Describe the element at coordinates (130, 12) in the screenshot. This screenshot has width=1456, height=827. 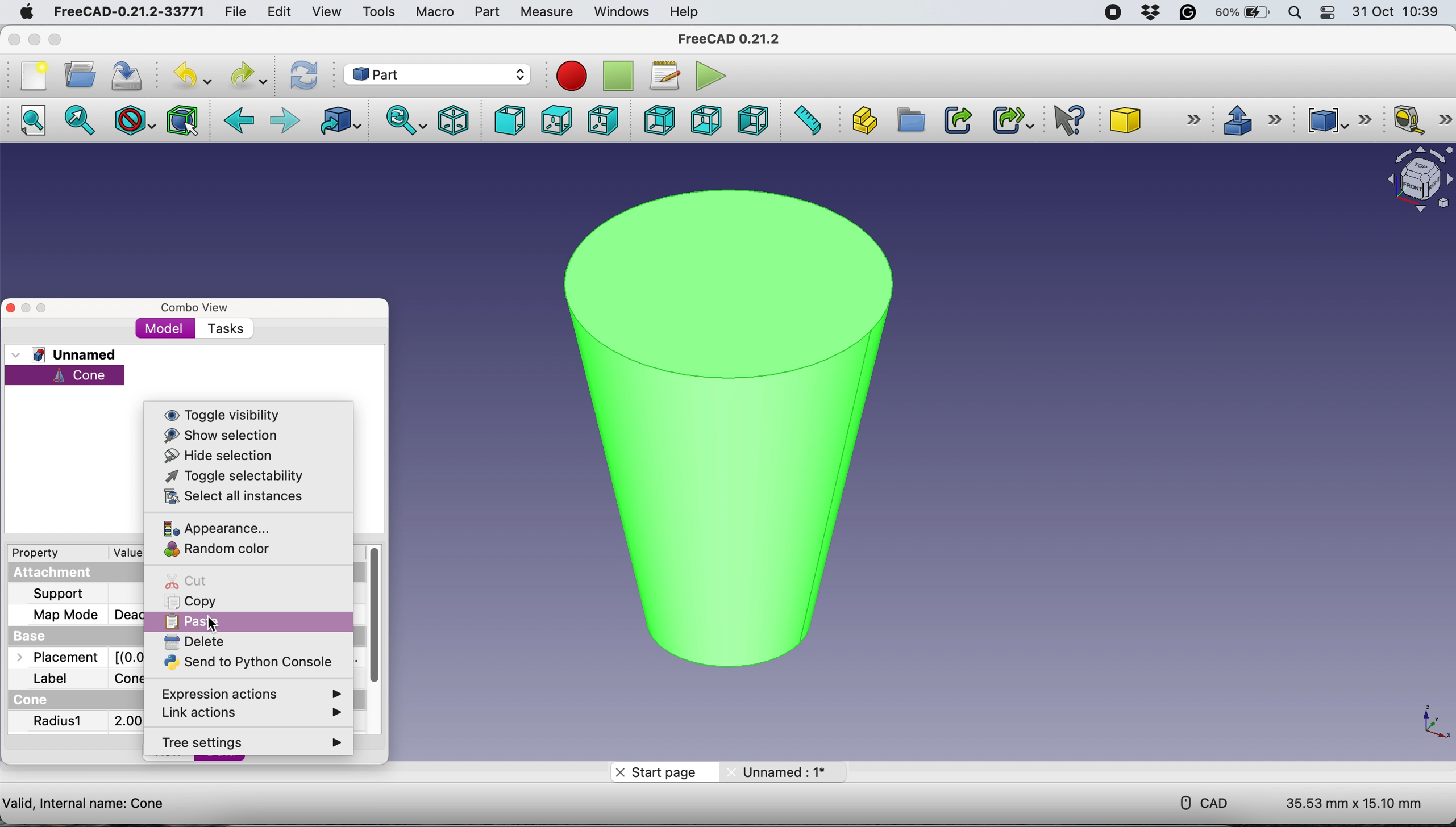
I see `freecad-0.21.2-33771` at that location.